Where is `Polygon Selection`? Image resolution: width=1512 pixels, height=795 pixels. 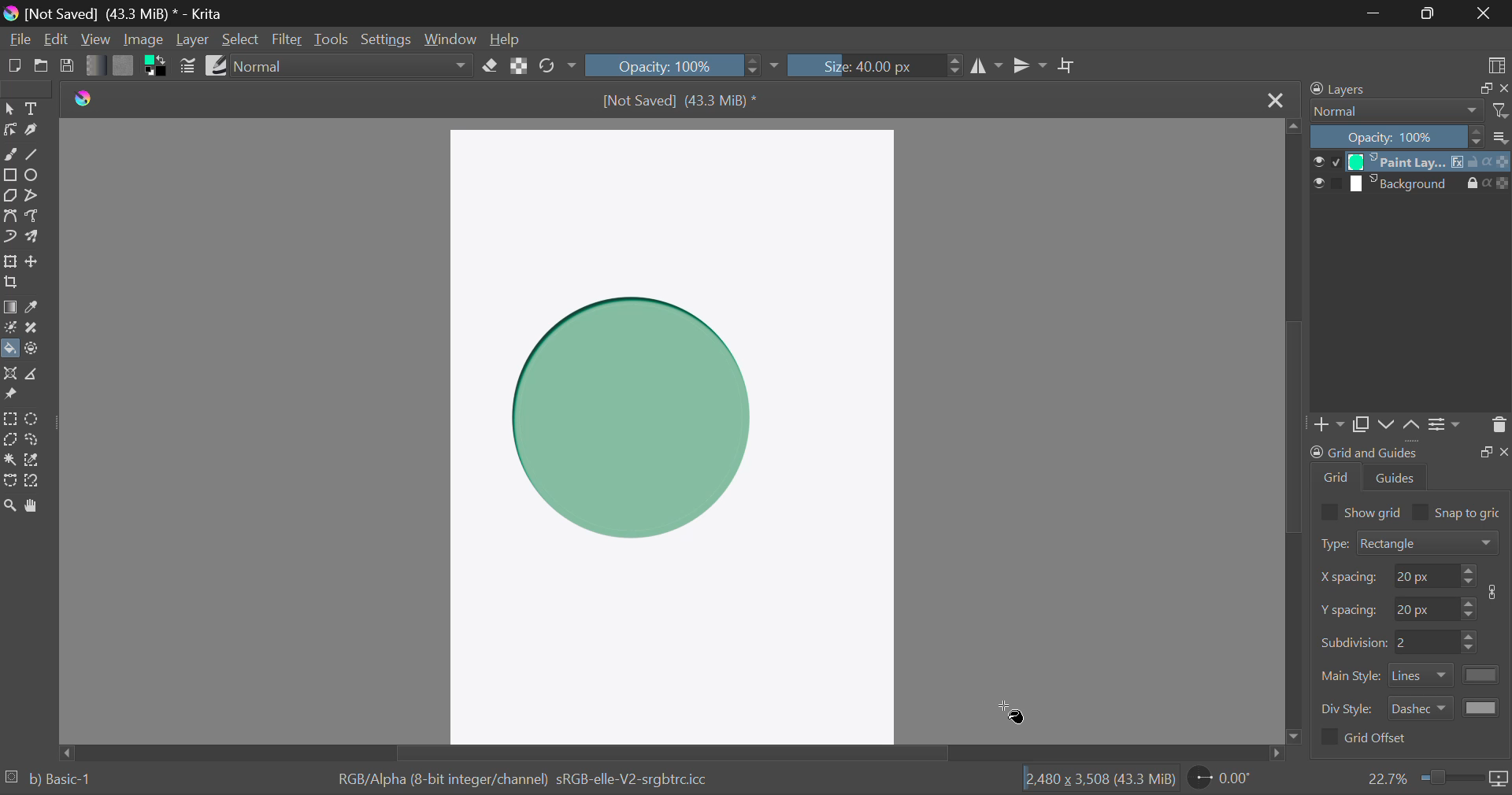
Polygon Selection is located at coordinates (9, 441).